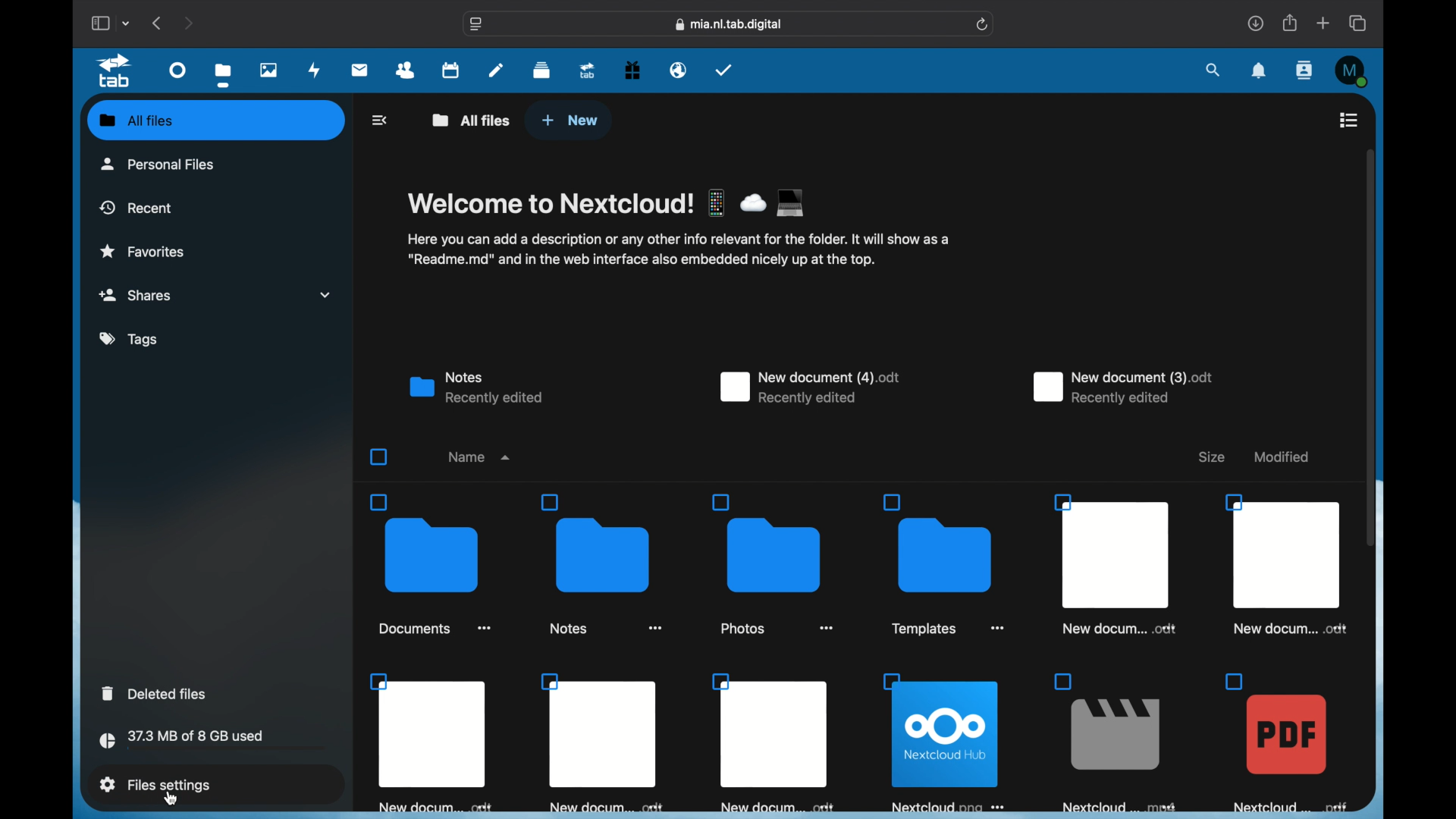 Image resolution: width=1456 pixels, height=819 pixels. Describe the element at coordinates (1288, 23) in the screenshot. I see `share` at that location.